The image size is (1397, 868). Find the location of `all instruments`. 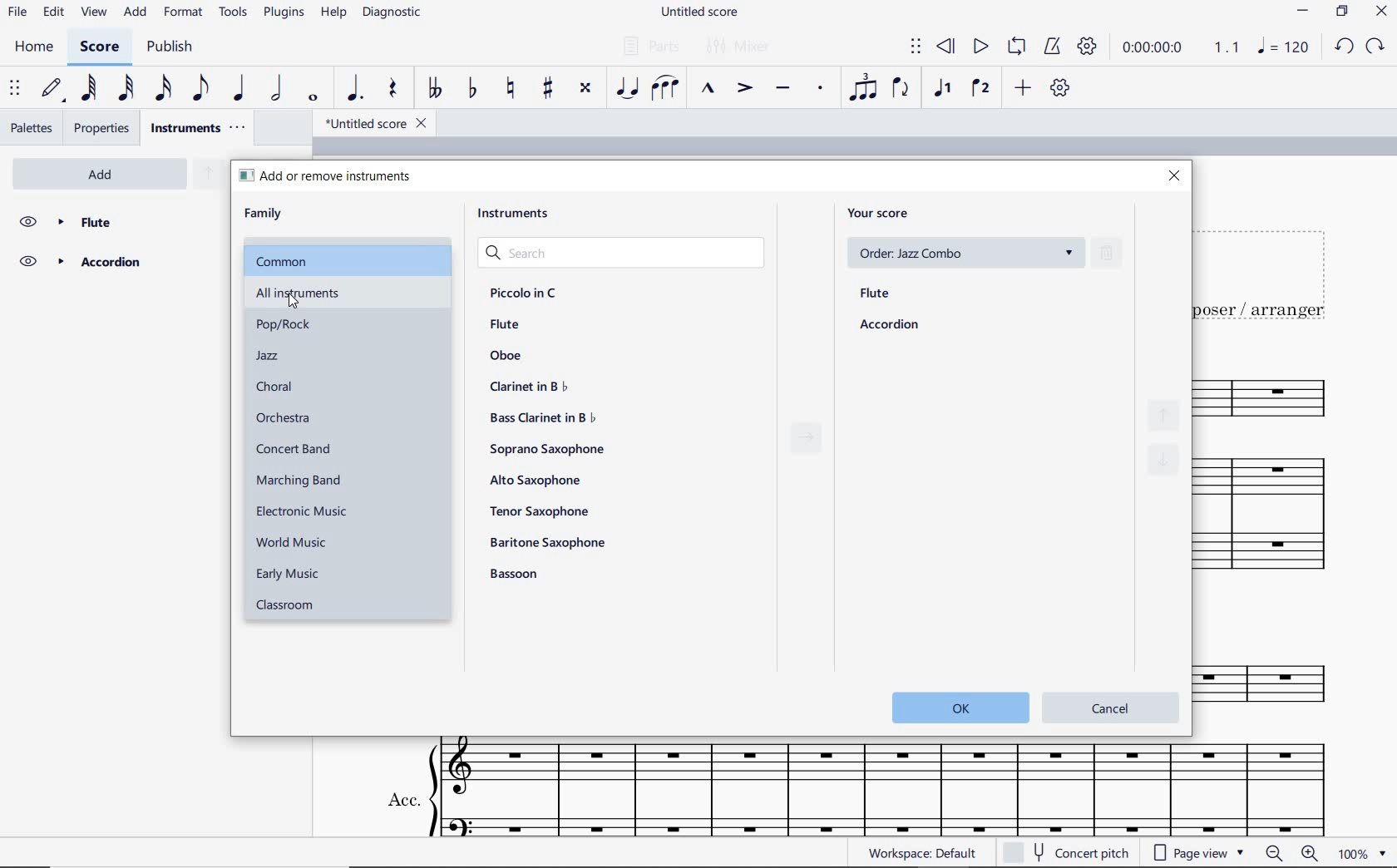

all instruments is located at coordinates (369, 293).